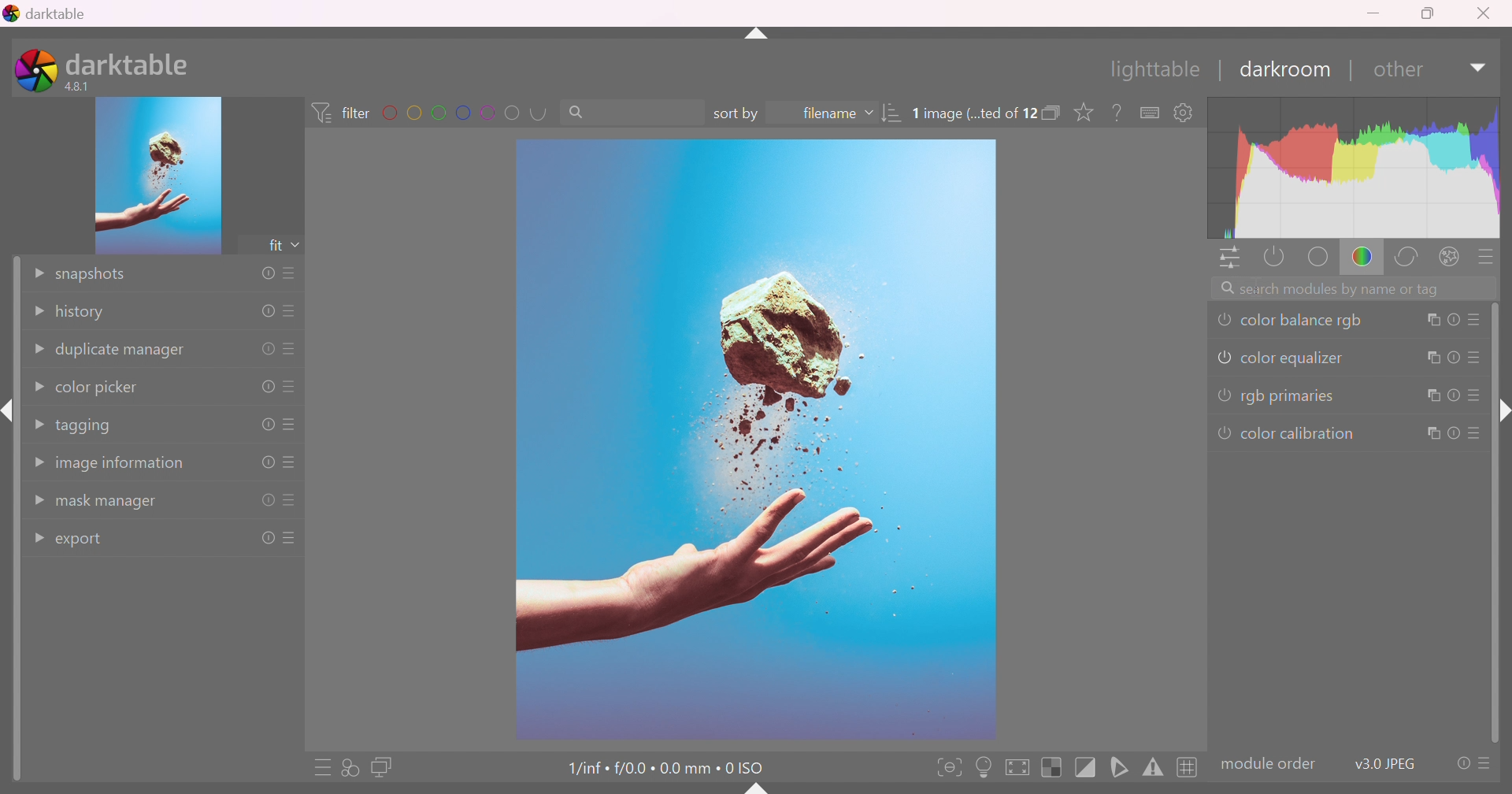  What do you see at coordinates (101, 389) in the screenshot?
I see `color picker` at bounding box center [101, 389].